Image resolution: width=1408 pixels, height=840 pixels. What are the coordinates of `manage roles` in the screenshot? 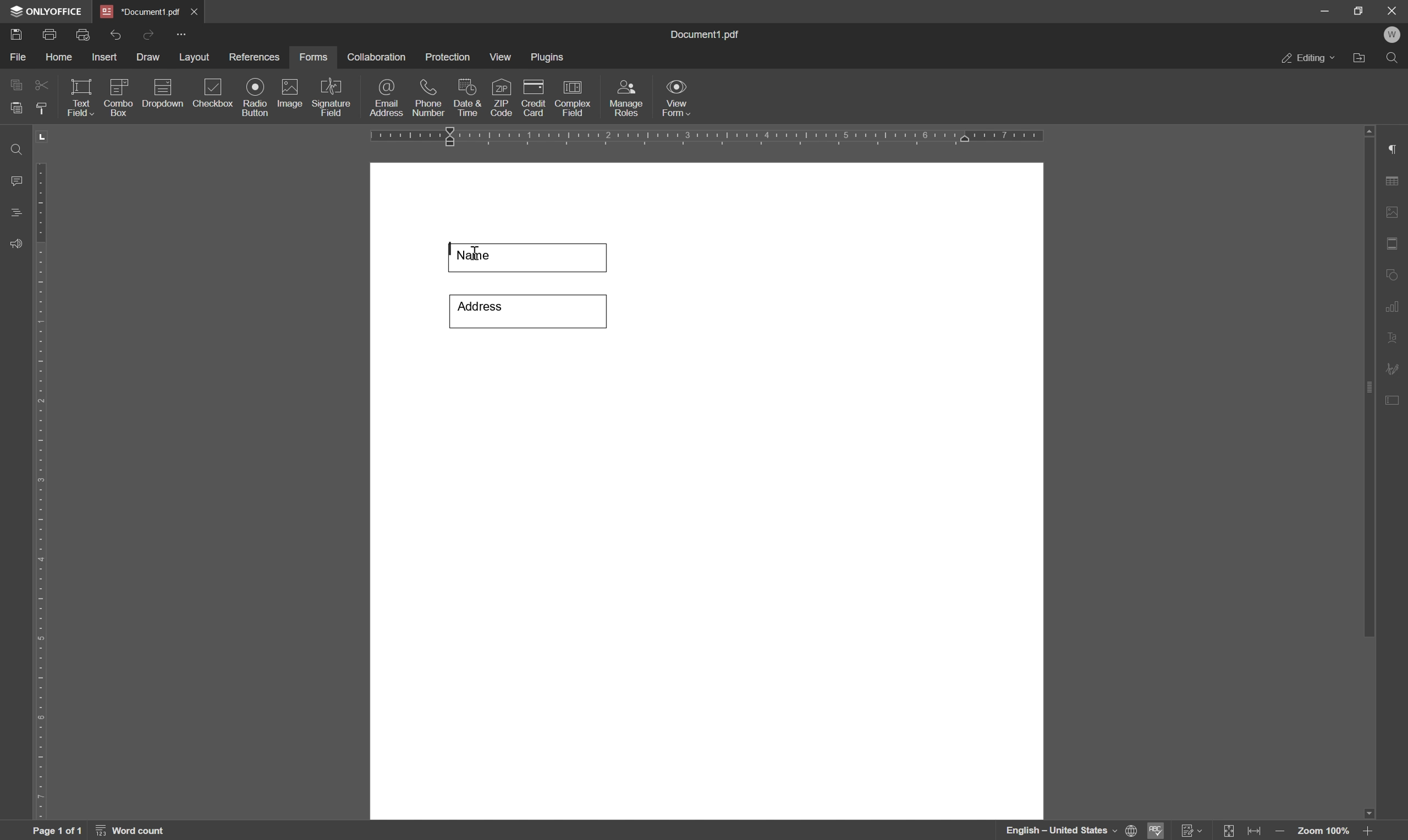 It's located at (626, 100).